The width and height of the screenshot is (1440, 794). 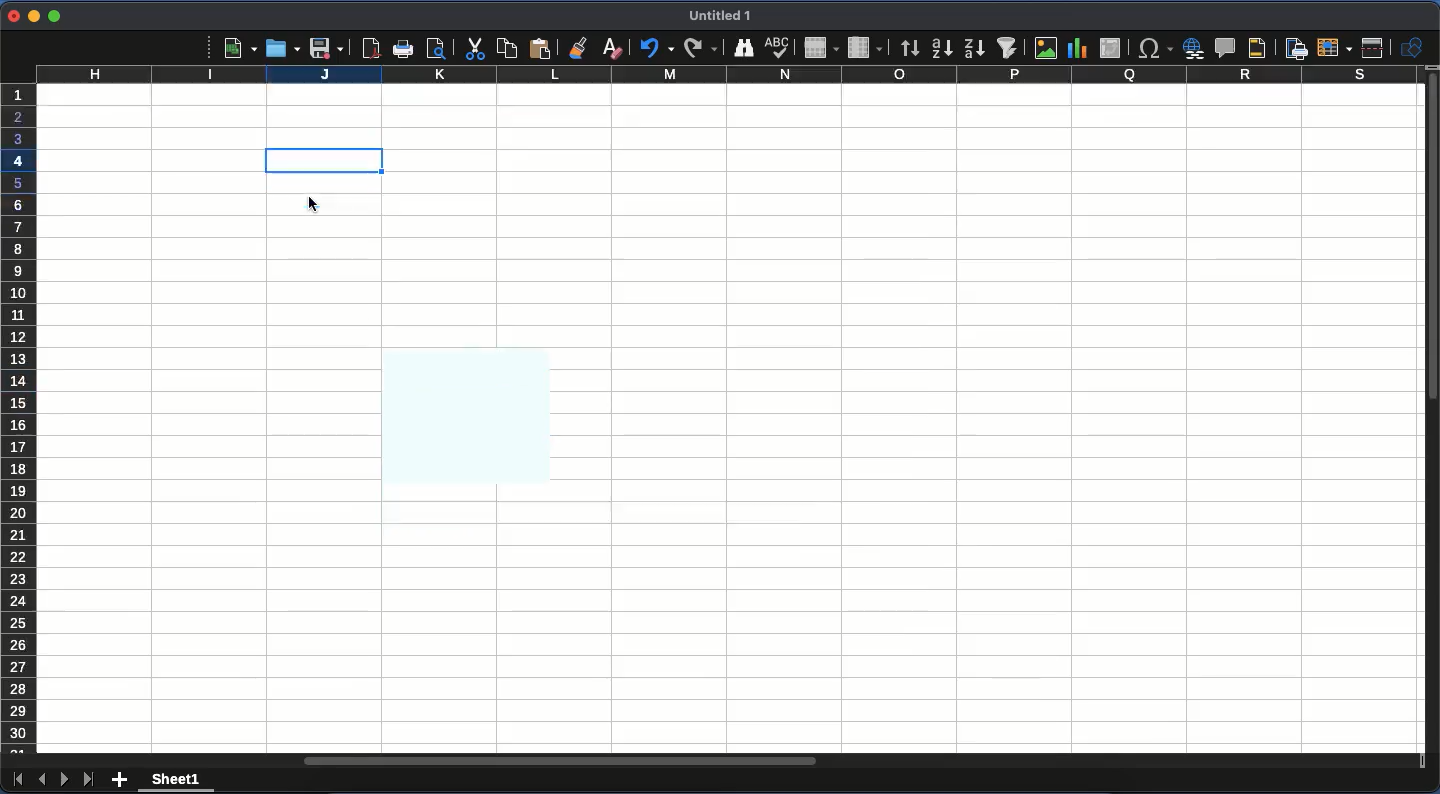 I want to click on minimize, so click(x=33, y=16).